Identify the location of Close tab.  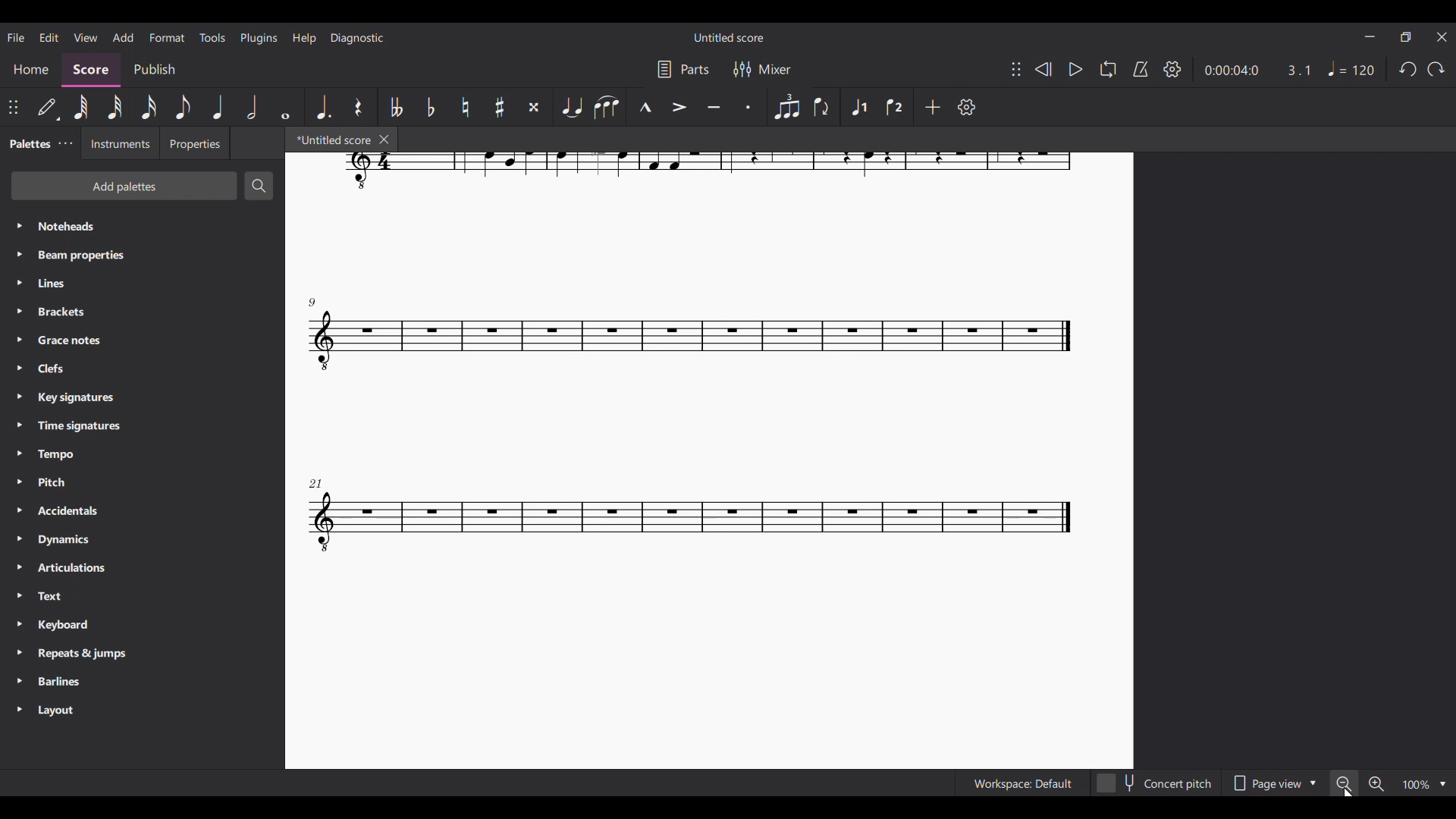
(384, 140).